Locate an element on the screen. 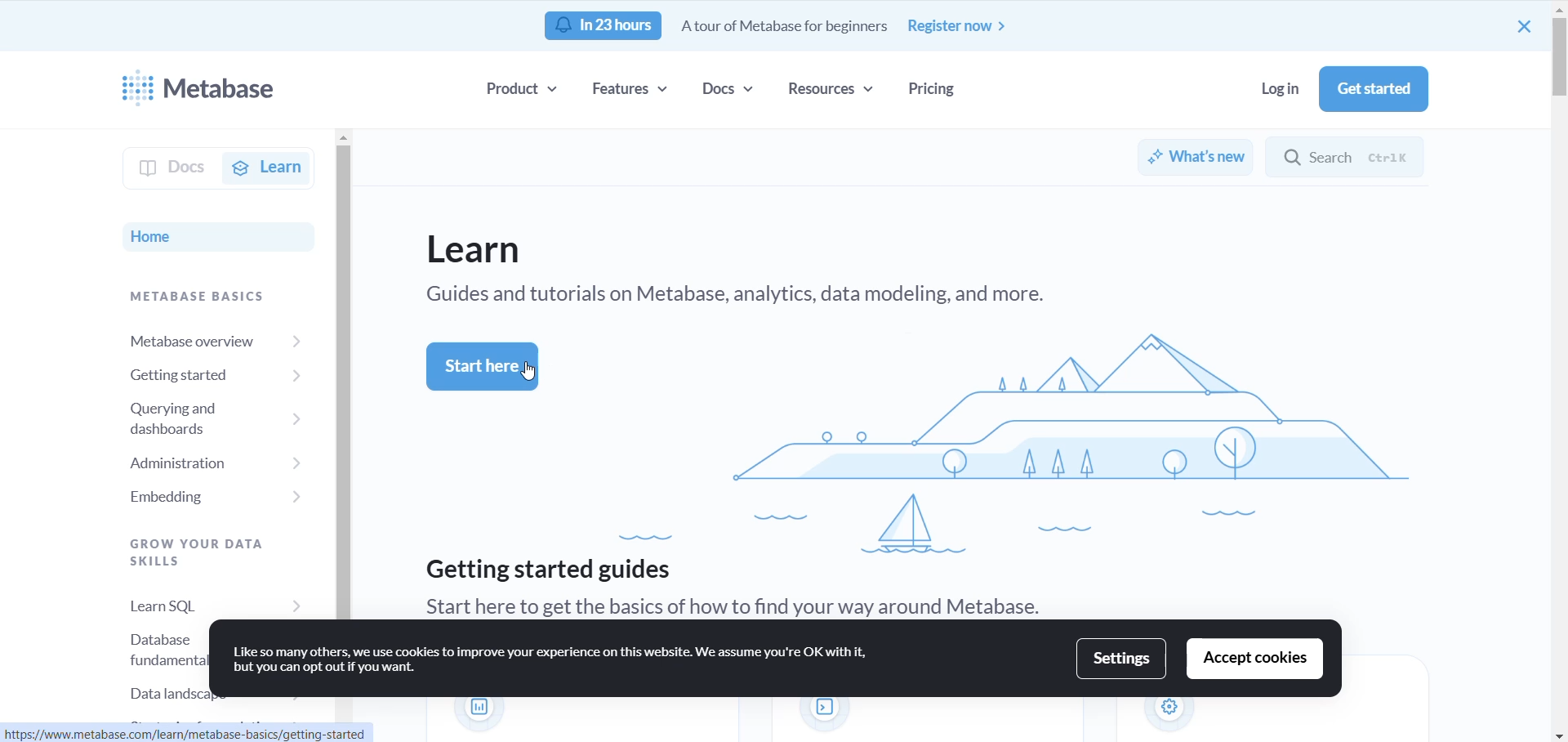  resources is located at coordinates (832, 90).